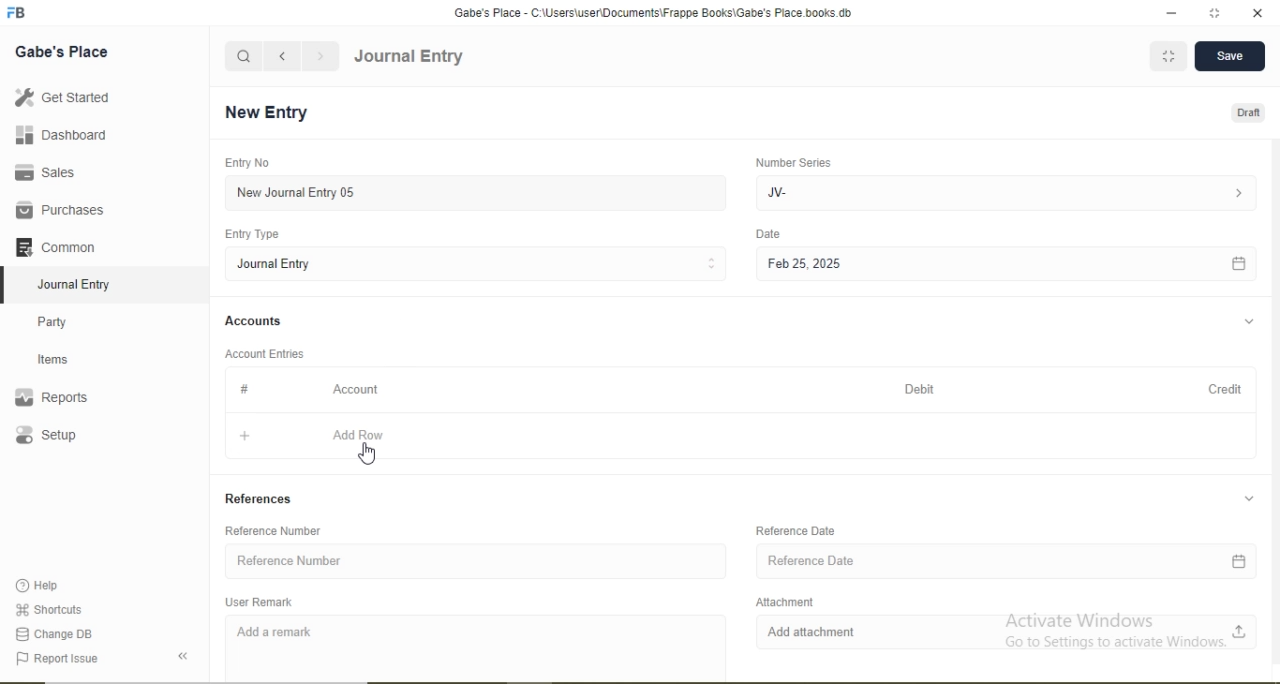  I want to click on navigate forward, so click(322, 56).